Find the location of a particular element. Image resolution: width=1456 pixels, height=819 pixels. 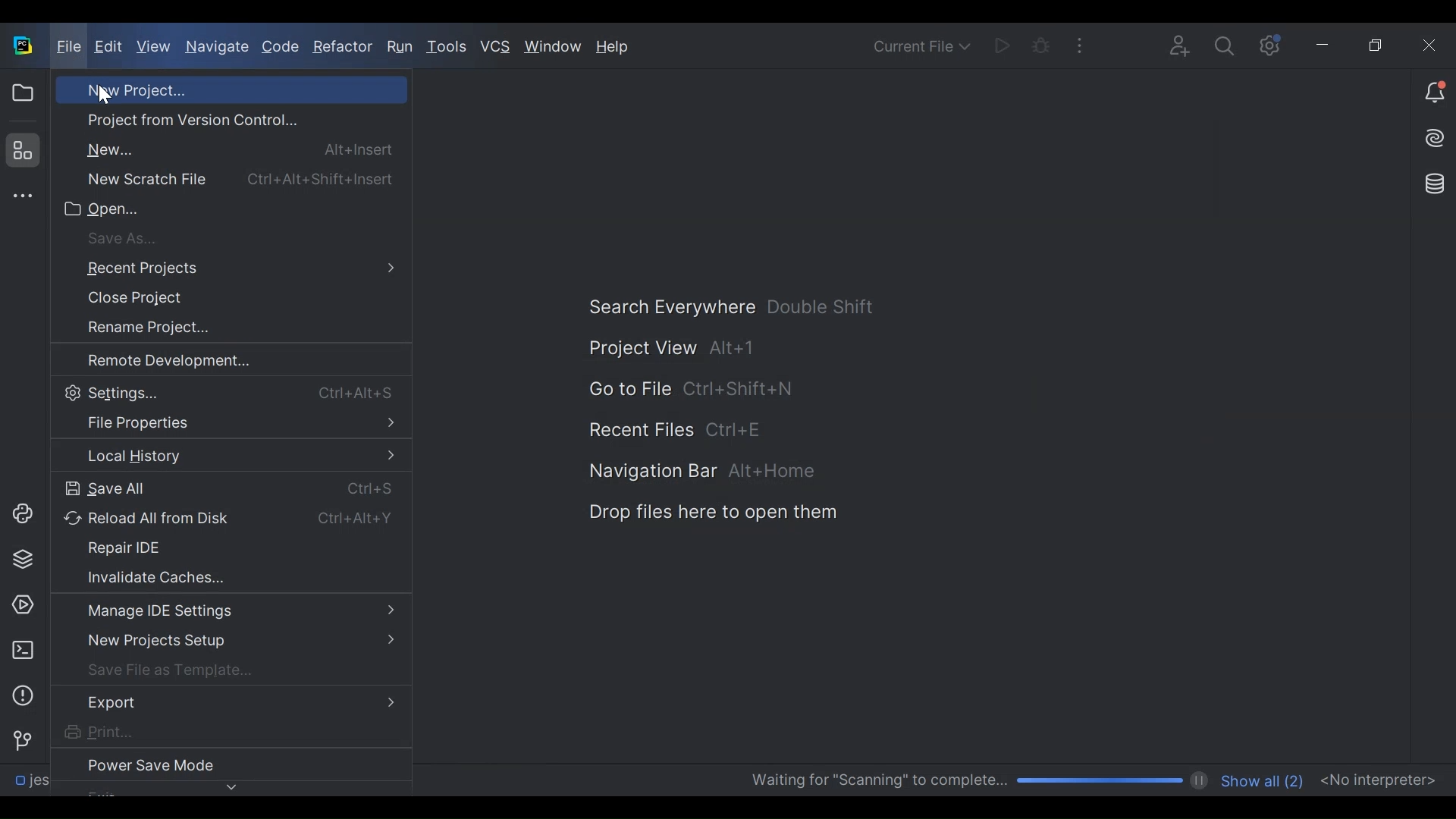

Restore is located at coordinates (1376, 45).